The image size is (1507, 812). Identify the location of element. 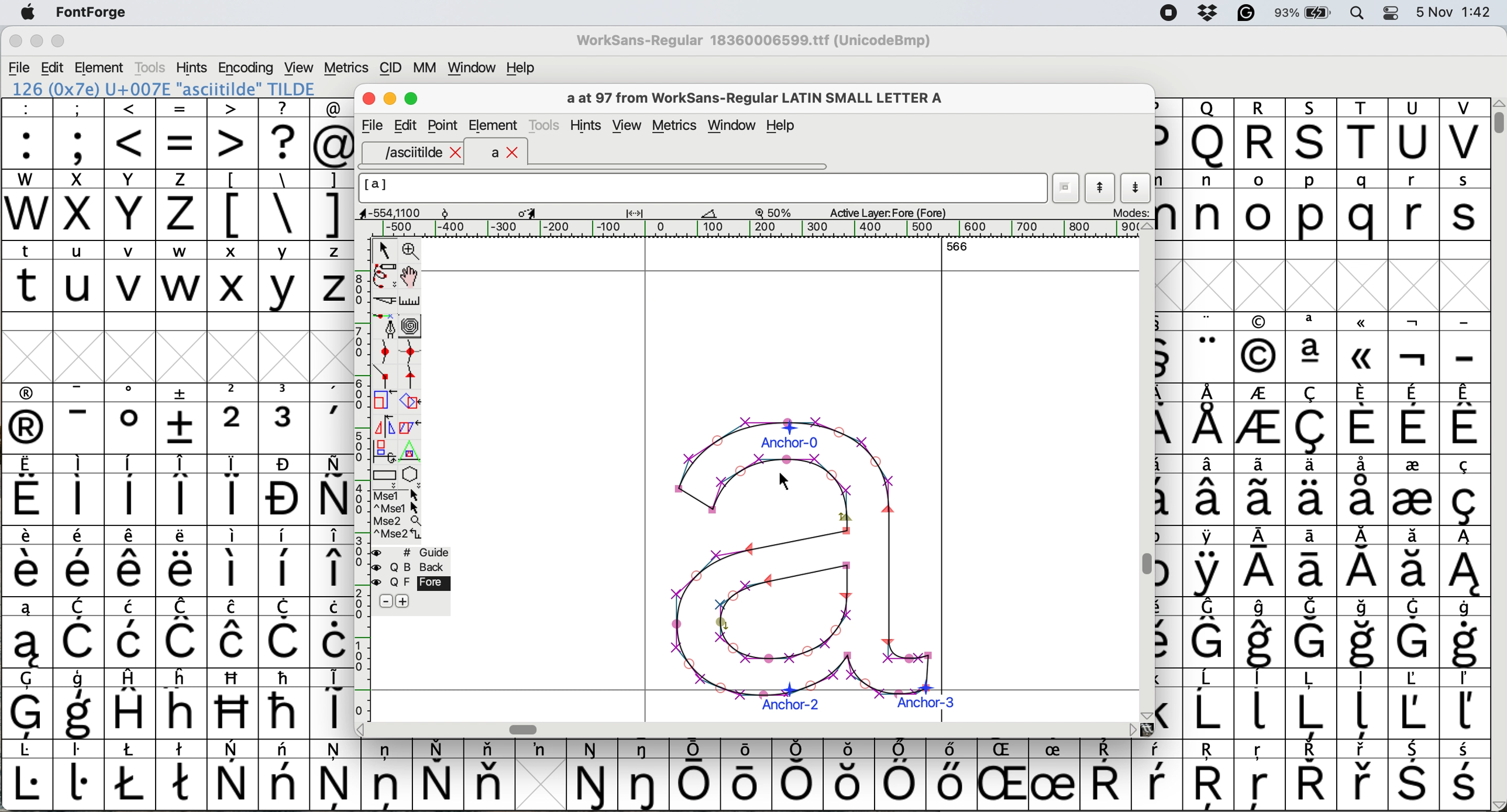
(101, 67).